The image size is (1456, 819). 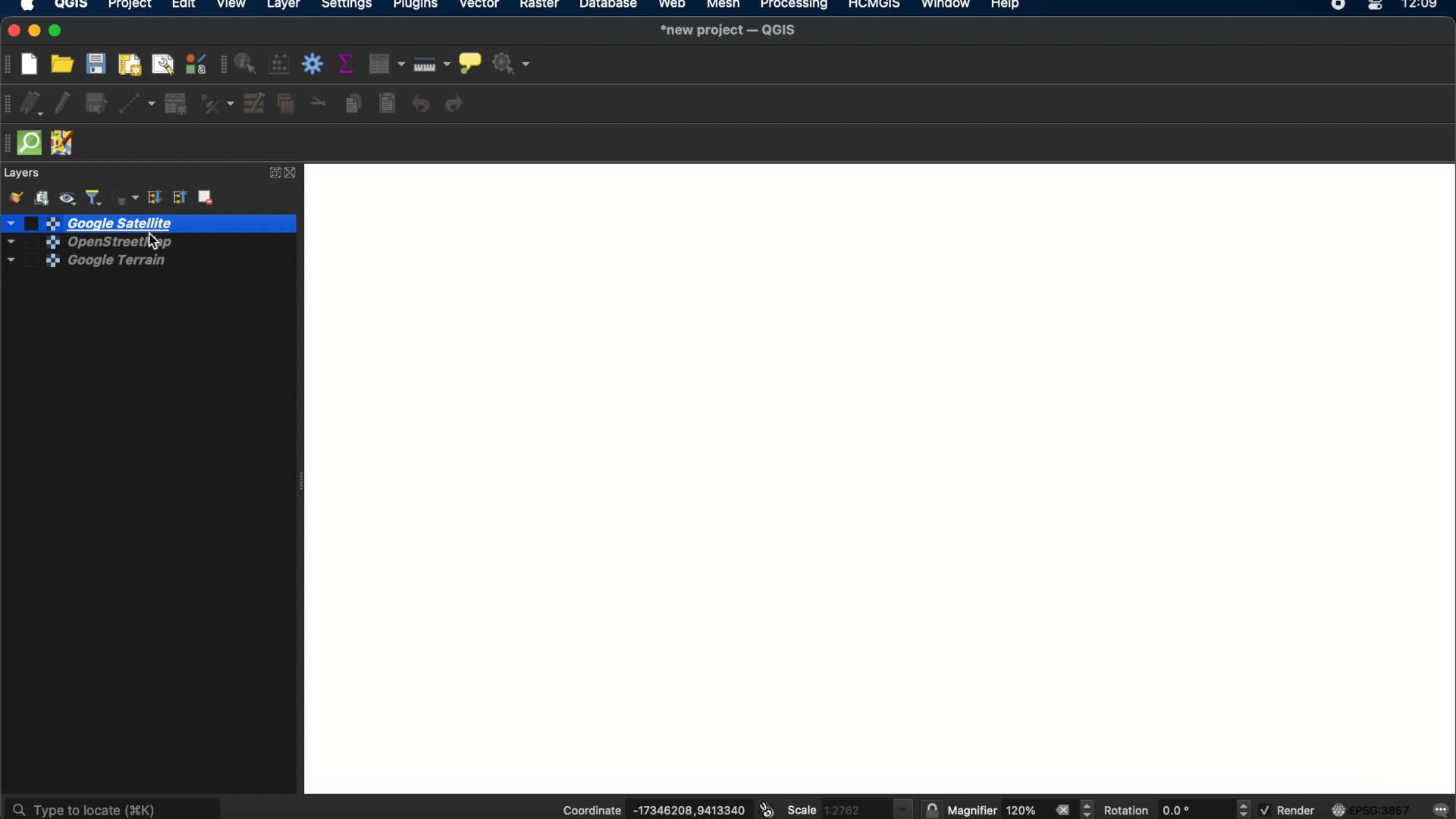 I want to click on cut features, so click(x=318, y=102).